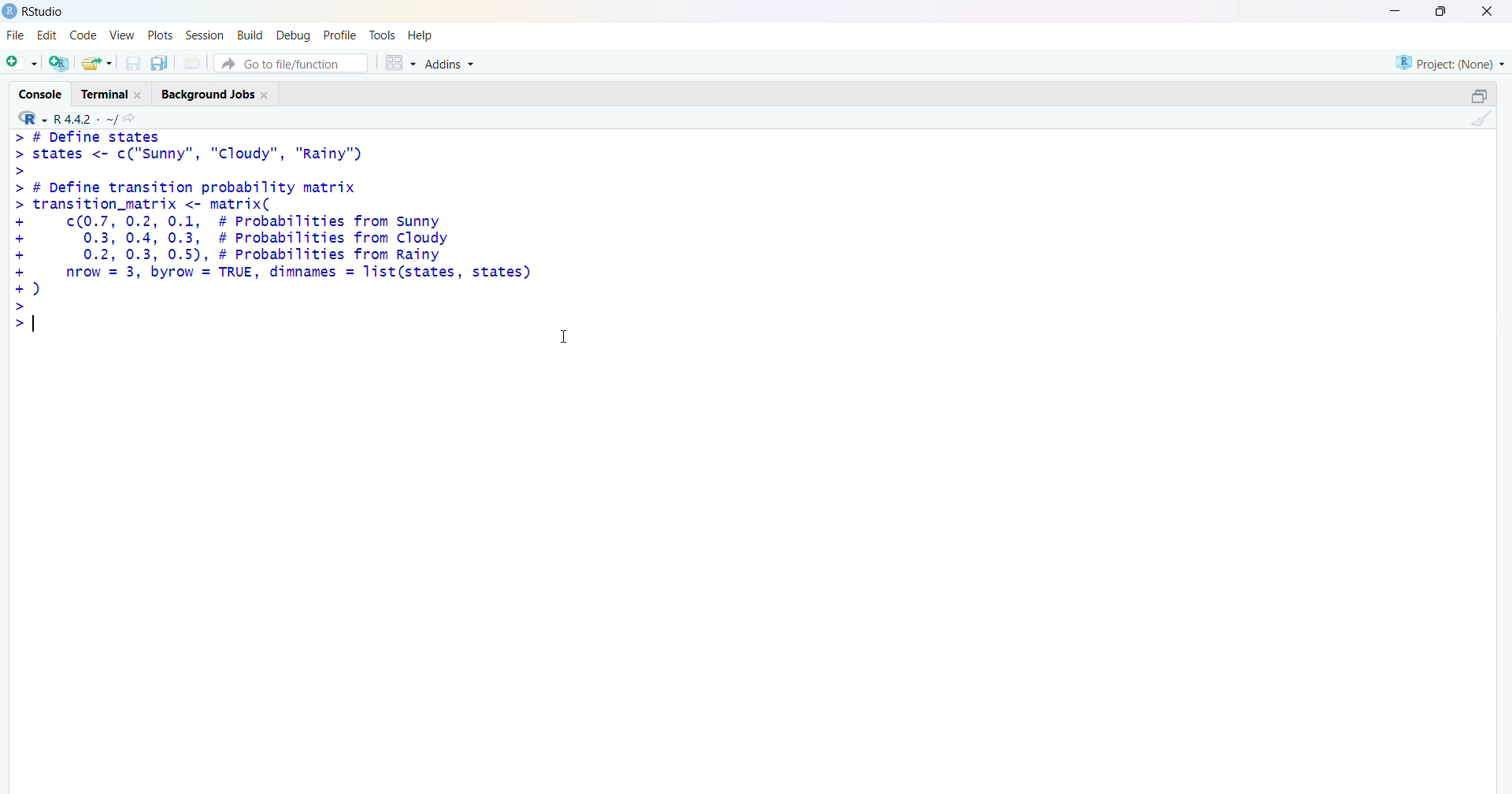 The width and height of the screenshot is (1512, 794). I want to click on maximize, so click(1438, 11).